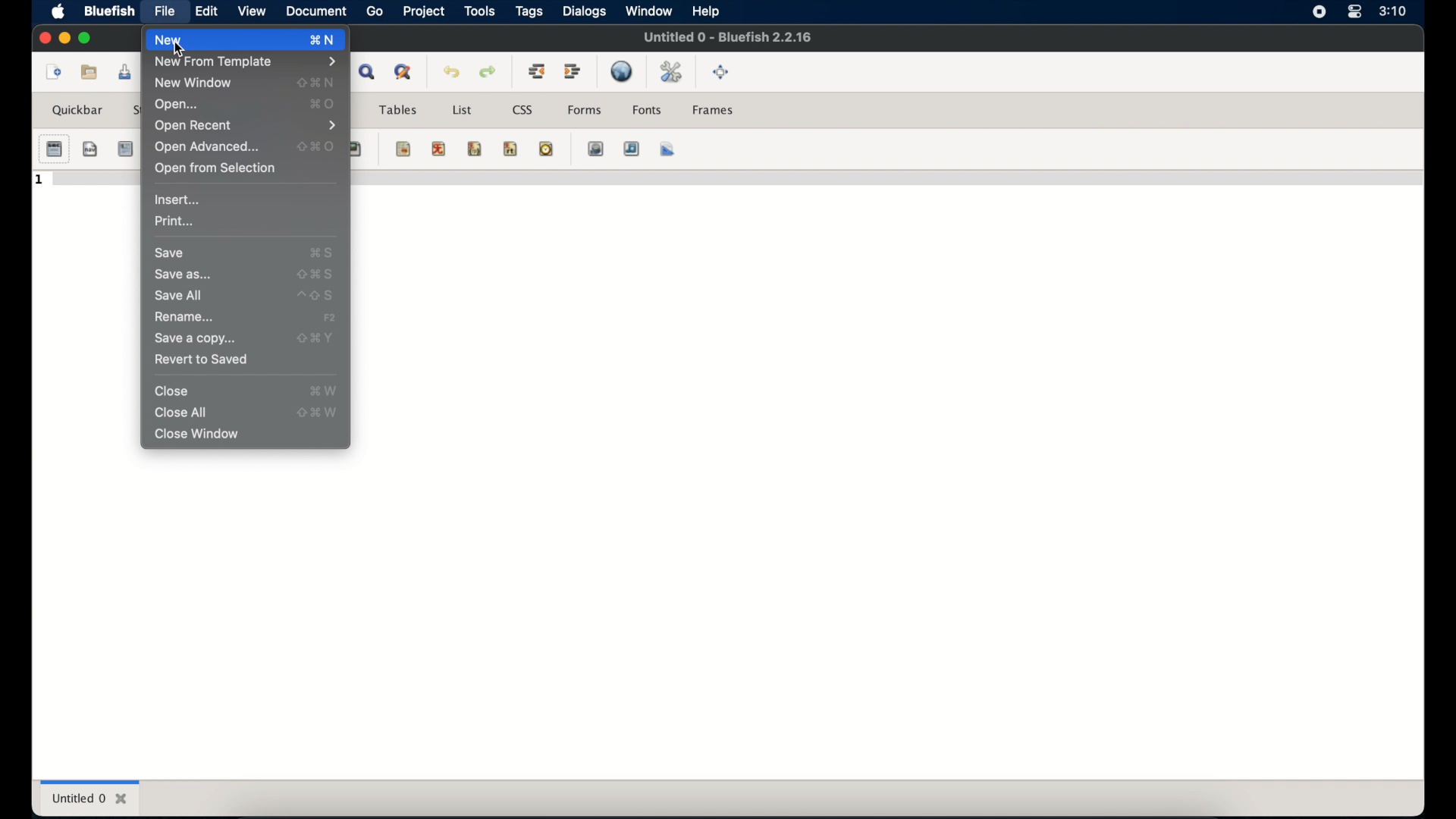  What do you see at coordinates (375, 12) in the screenshot?
I see `go` at bounding box center [375, 12].